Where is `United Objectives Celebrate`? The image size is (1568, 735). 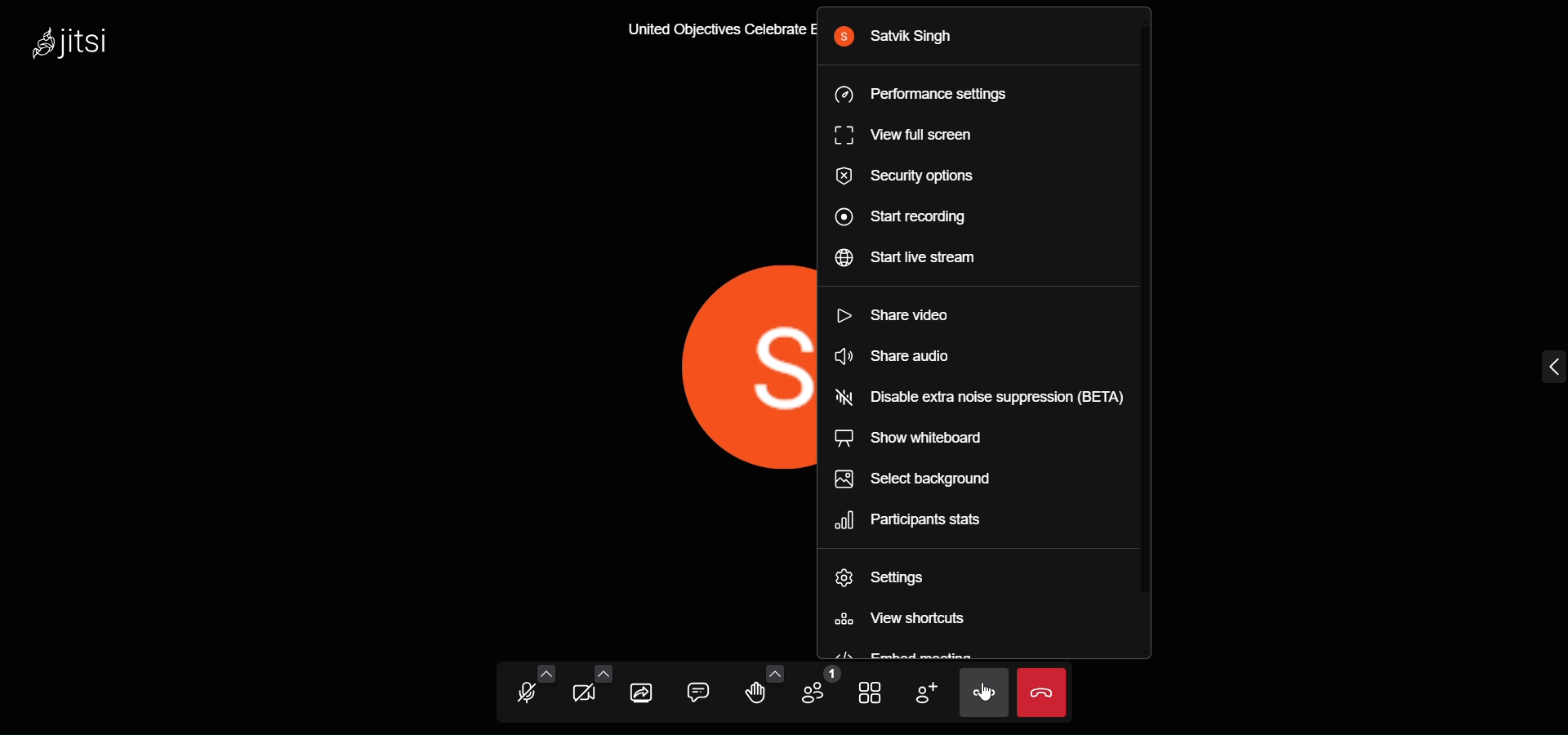
United Objectives Celebrate is located at coordinates (706, 31).